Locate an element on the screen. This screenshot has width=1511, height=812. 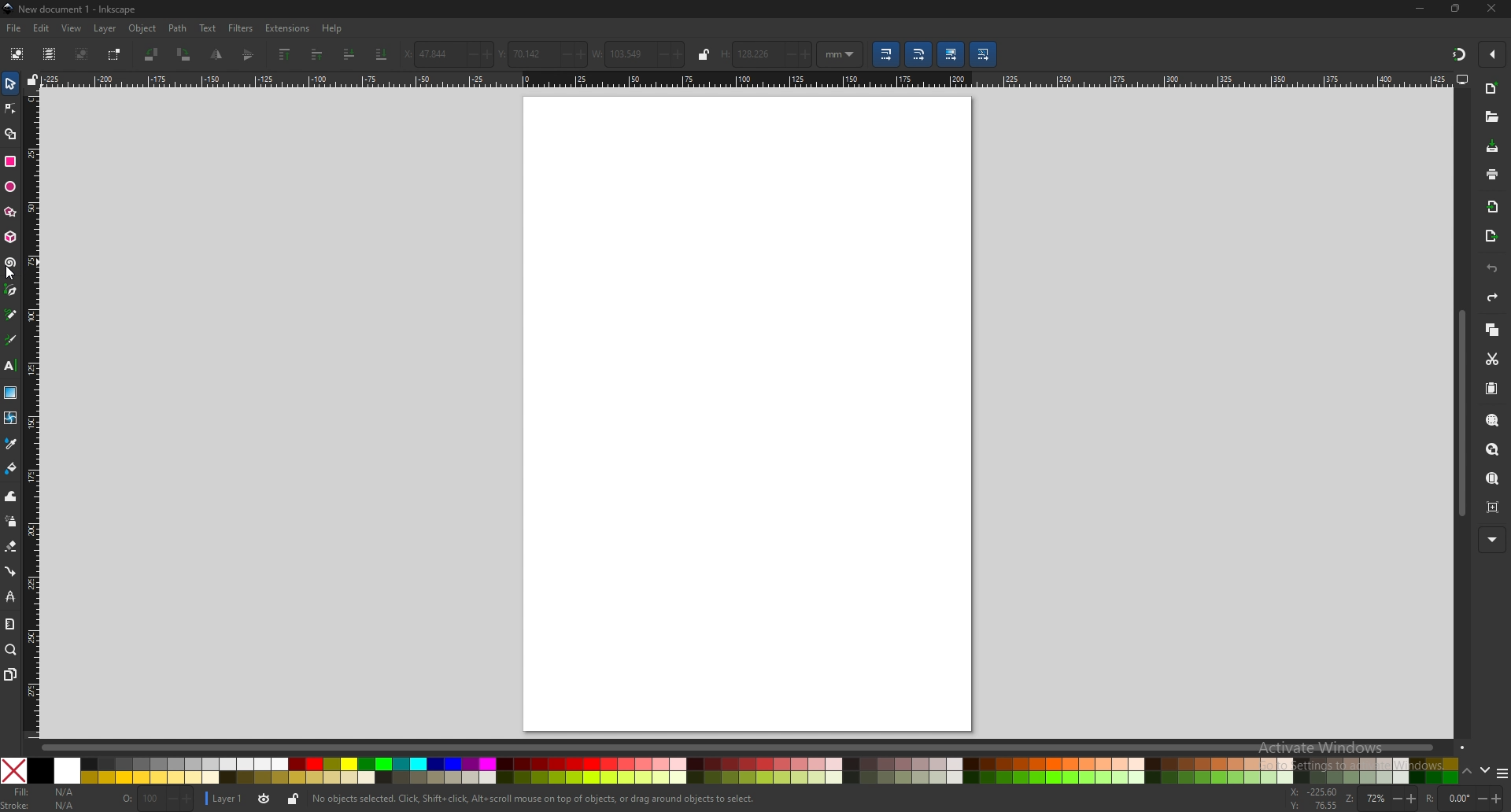
import is located at coordinates (1492, 207).